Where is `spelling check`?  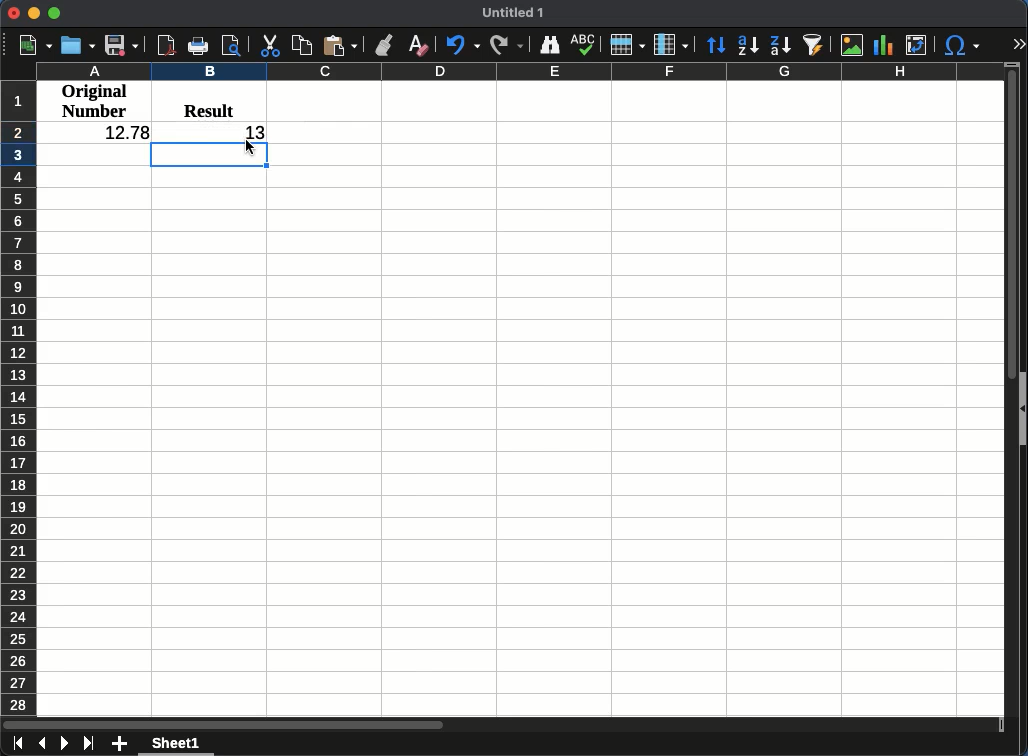 spelling check is located at coordinates (586, 42).